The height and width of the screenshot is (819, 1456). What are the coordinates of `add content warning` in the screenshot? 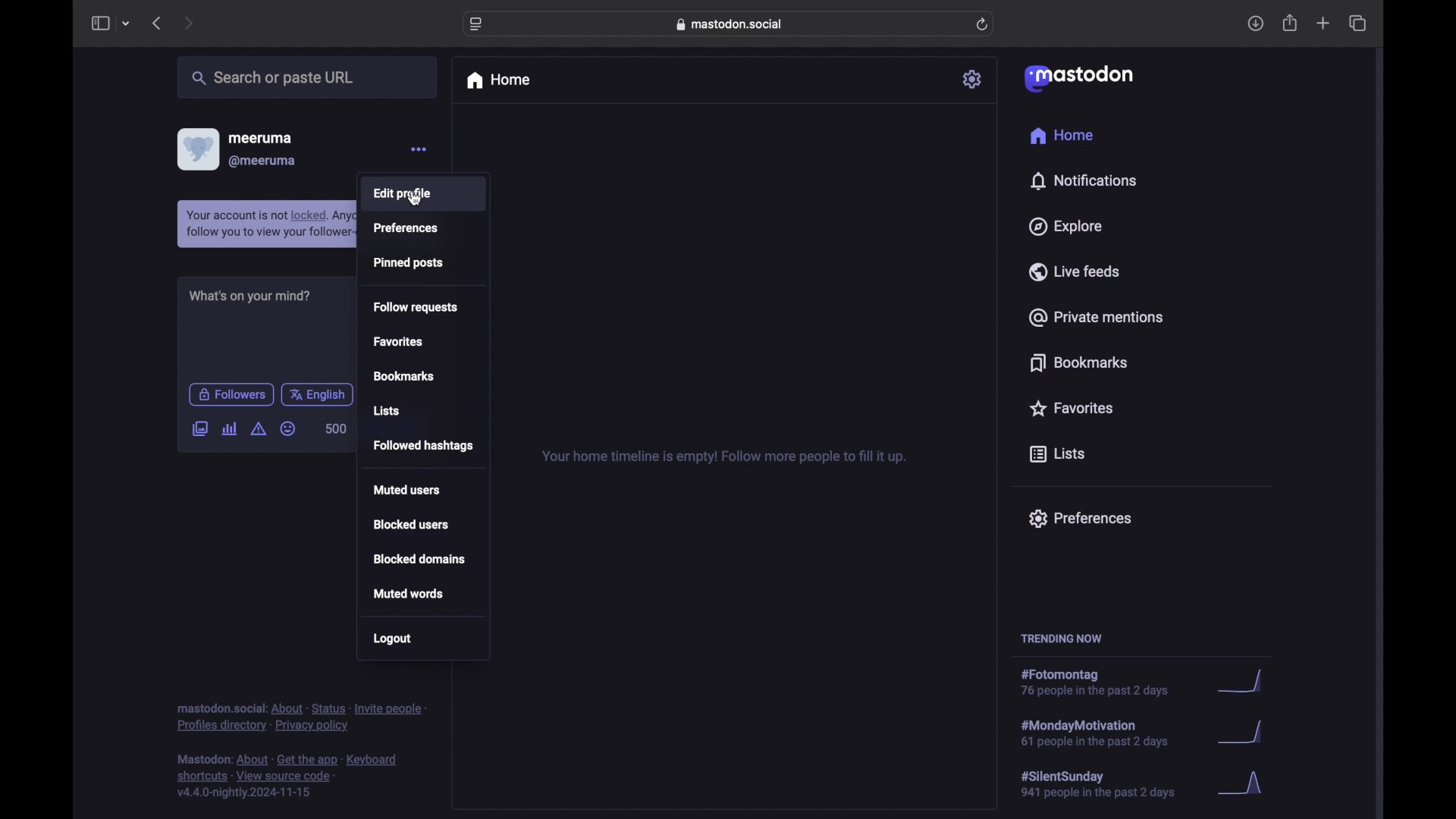 It's located at (259, 429).